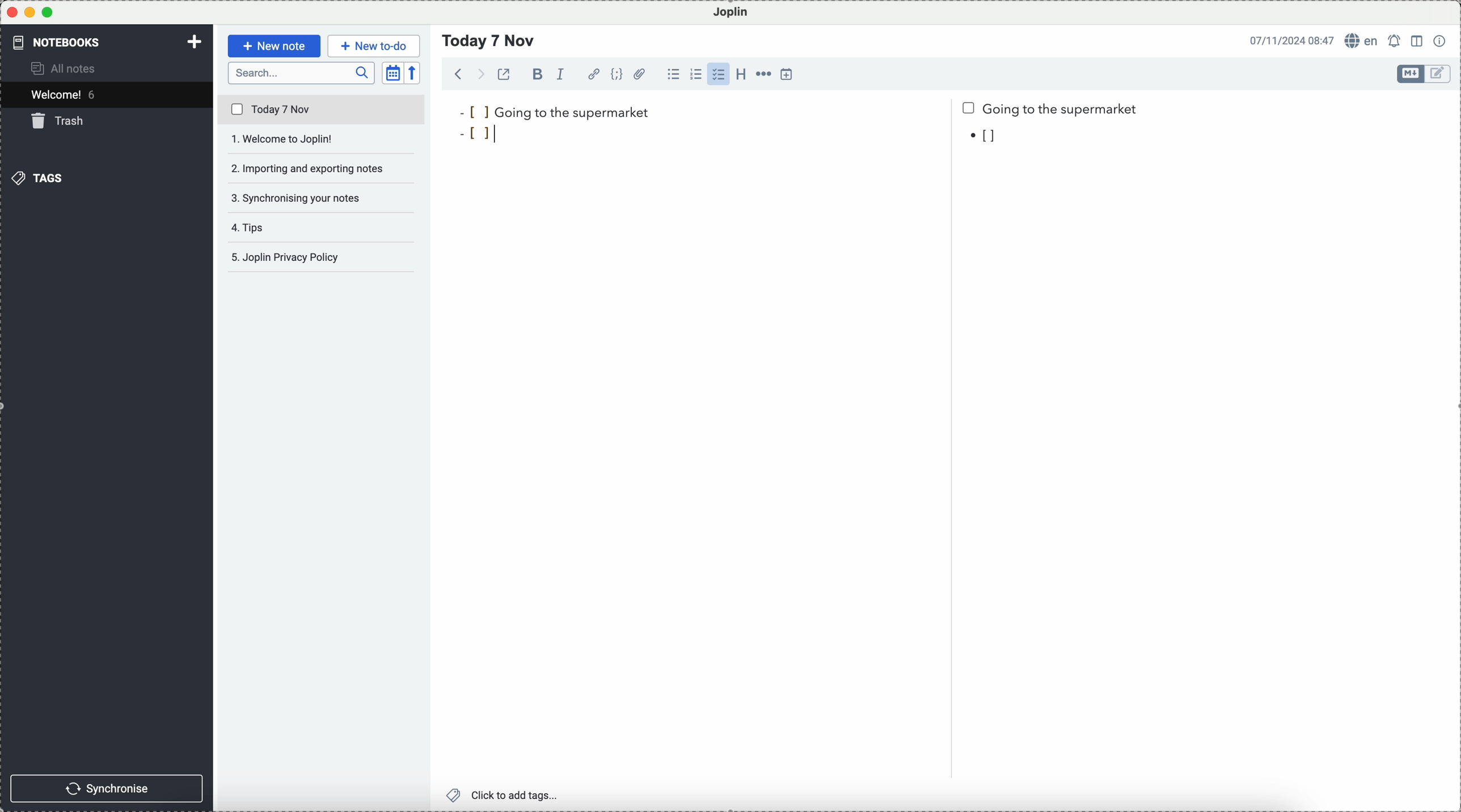  What do you see at coordinates (504, 74) in the screenshot?
I see `toggle external editing` at bounding box center [504, 74].